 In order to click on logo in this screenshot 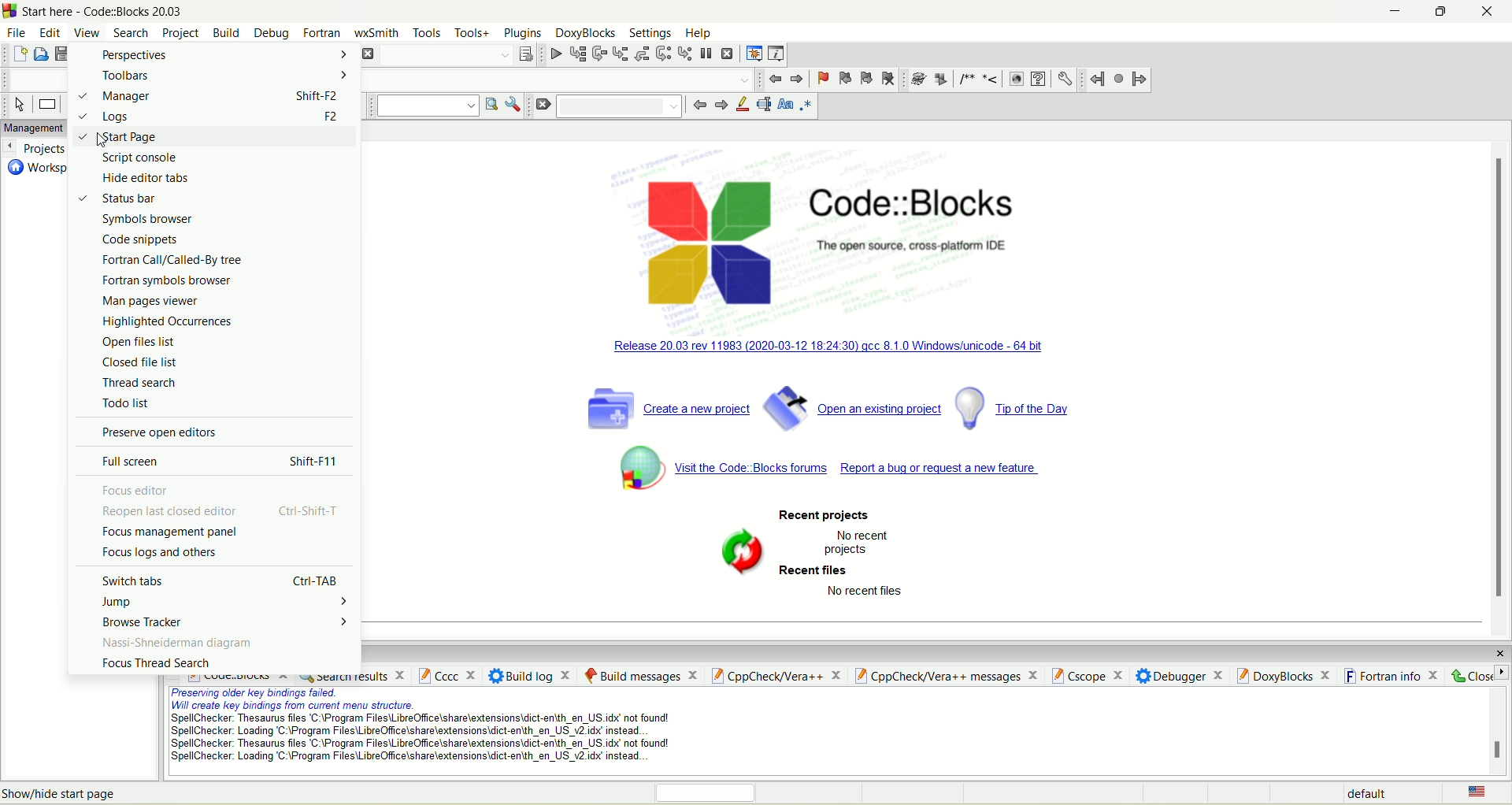, I will do `click(706, 239)`.